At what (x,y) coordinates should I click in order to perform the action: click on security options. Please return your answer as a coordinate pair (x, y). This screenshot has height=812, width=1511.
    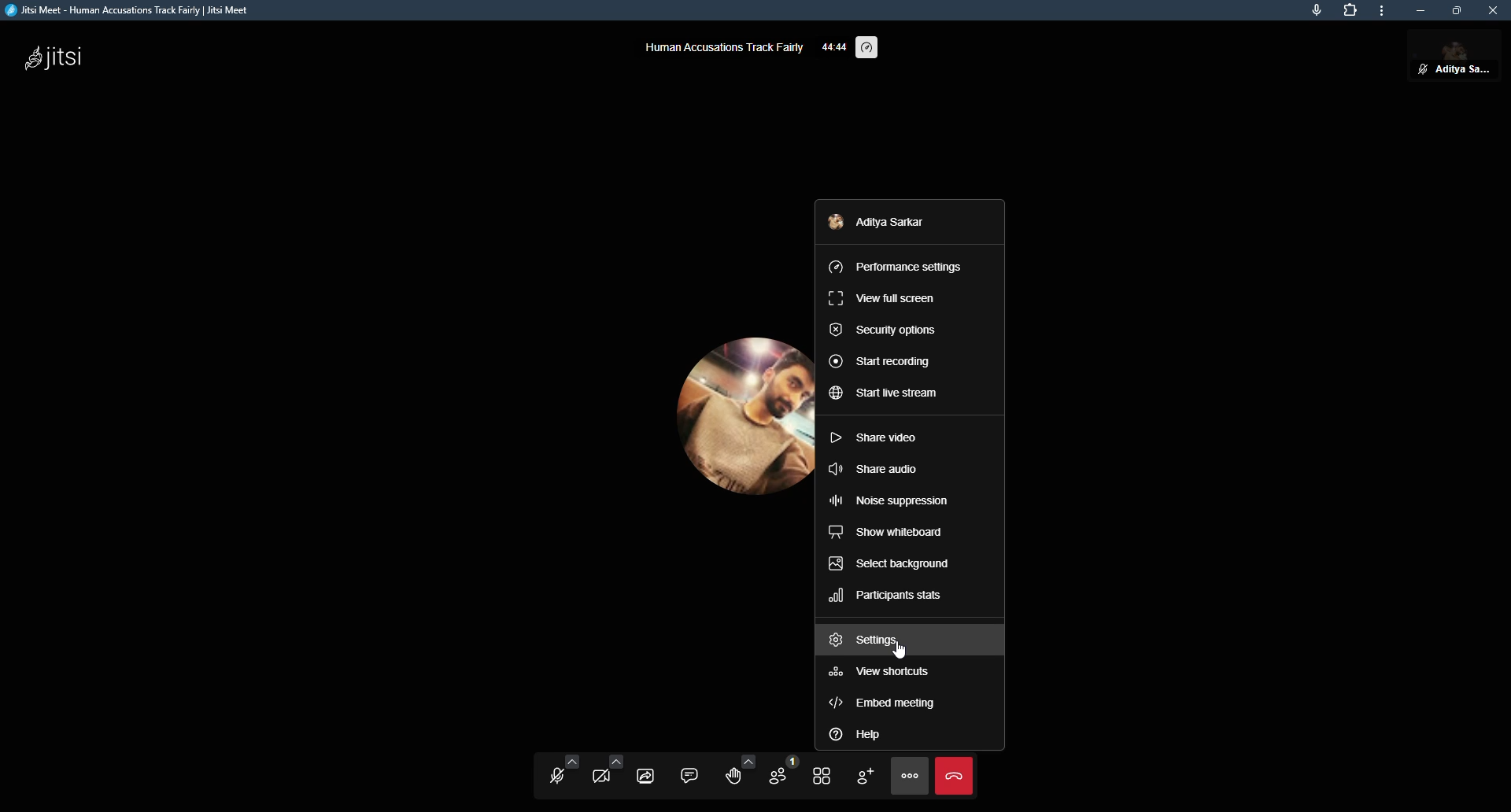
    Looking at the image, I should click on (884, 330).